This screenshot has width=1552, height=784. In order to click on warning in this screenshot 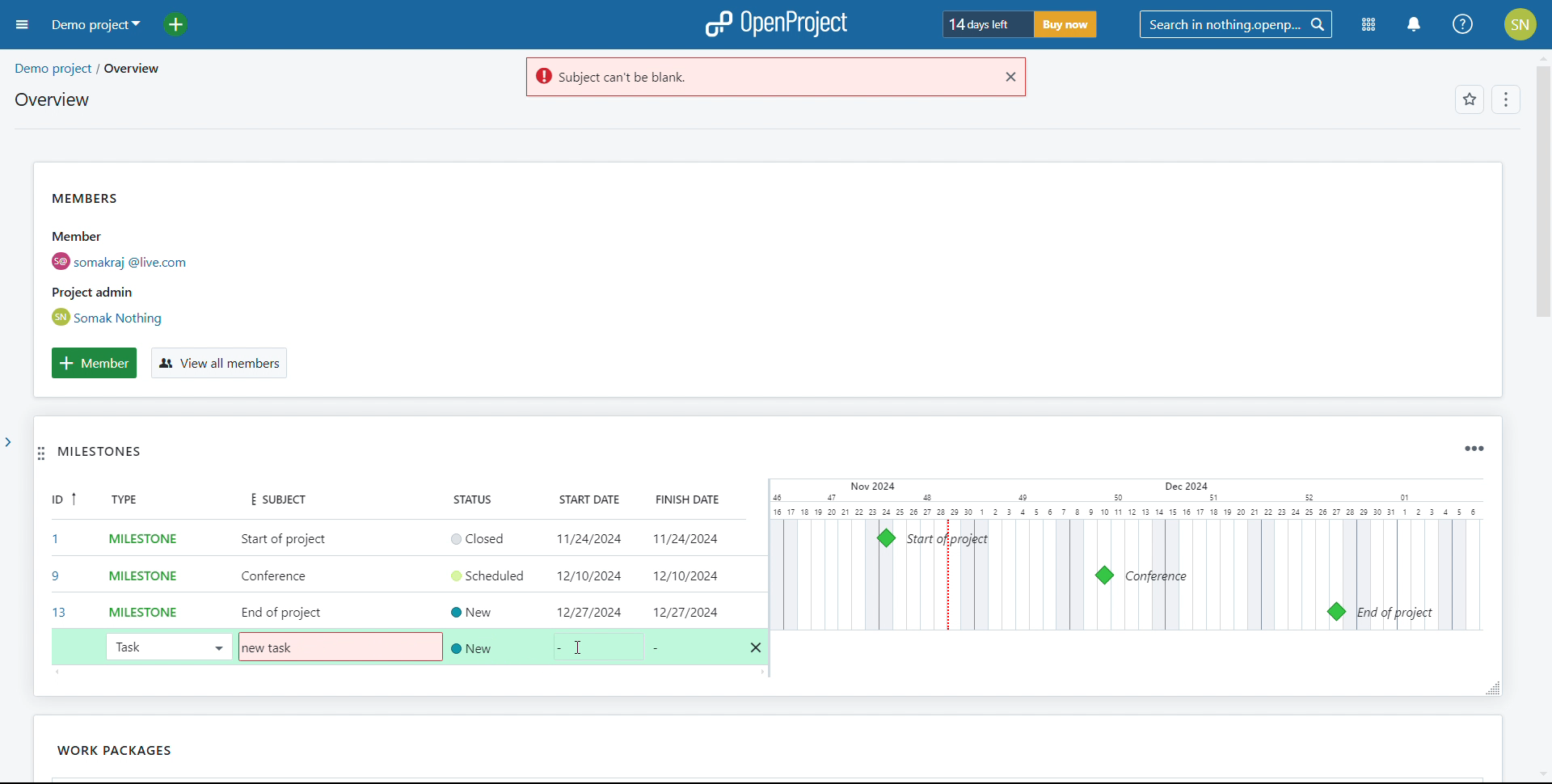, I will do `click(756, 78)`.